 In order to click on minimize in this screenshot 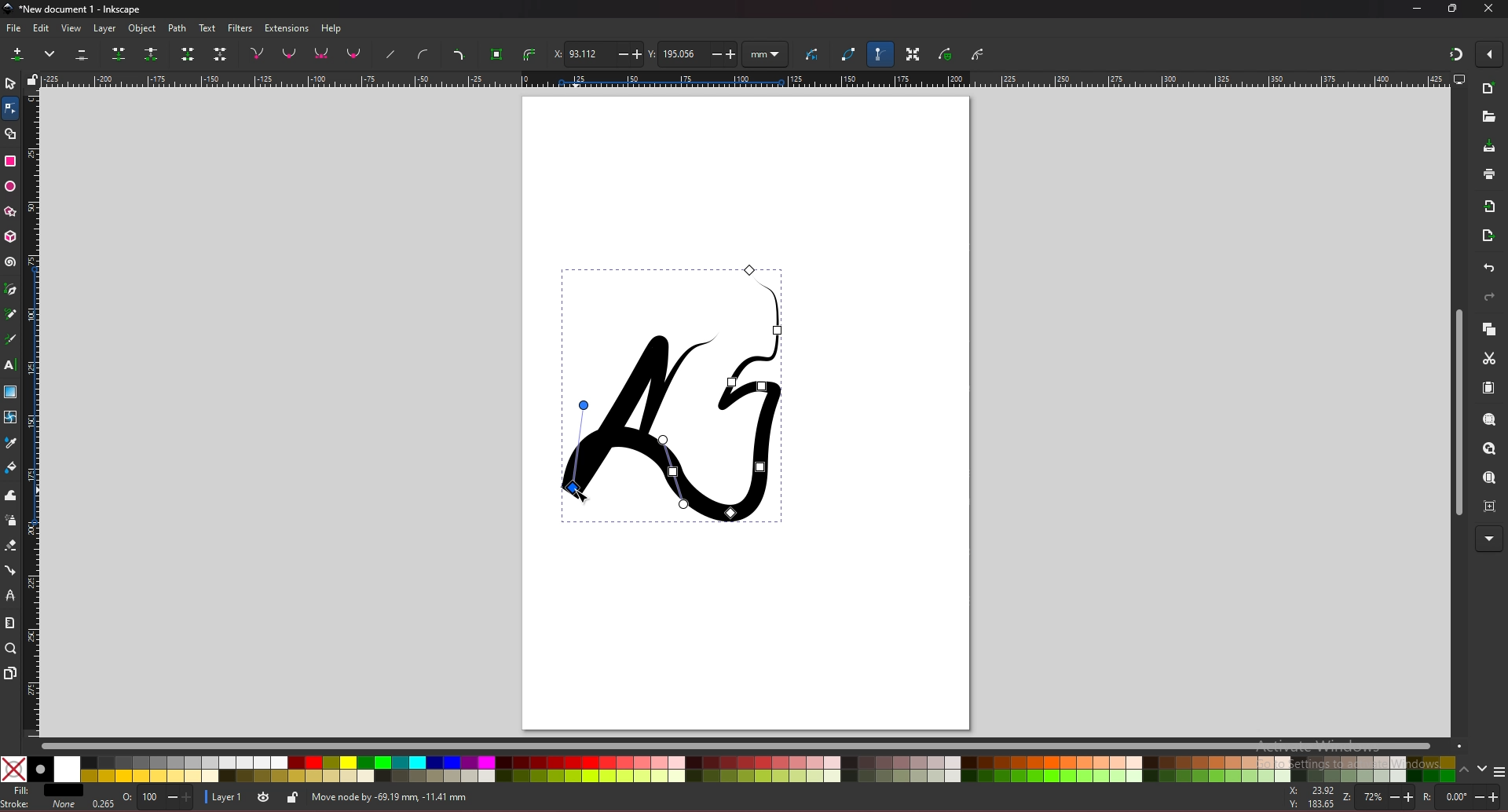, I will do `click(1418, 9)`.